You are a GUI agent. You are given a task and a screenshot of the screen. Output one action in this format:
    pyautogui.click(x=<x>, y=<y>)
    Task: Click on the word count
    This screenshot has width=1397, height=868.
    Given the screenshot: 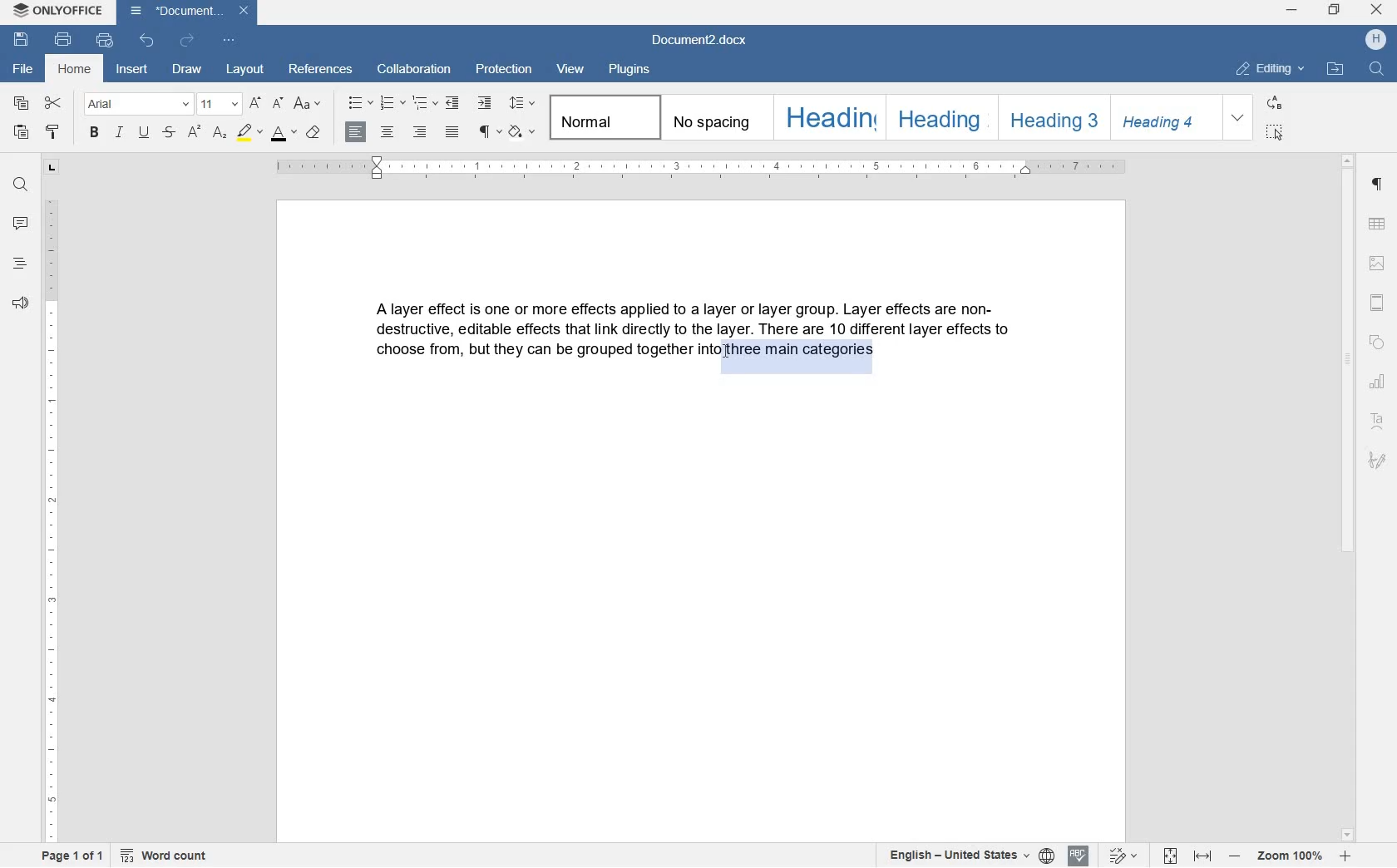 What is the action you would take?
    pyautogui.click(x=165, y=856)
    